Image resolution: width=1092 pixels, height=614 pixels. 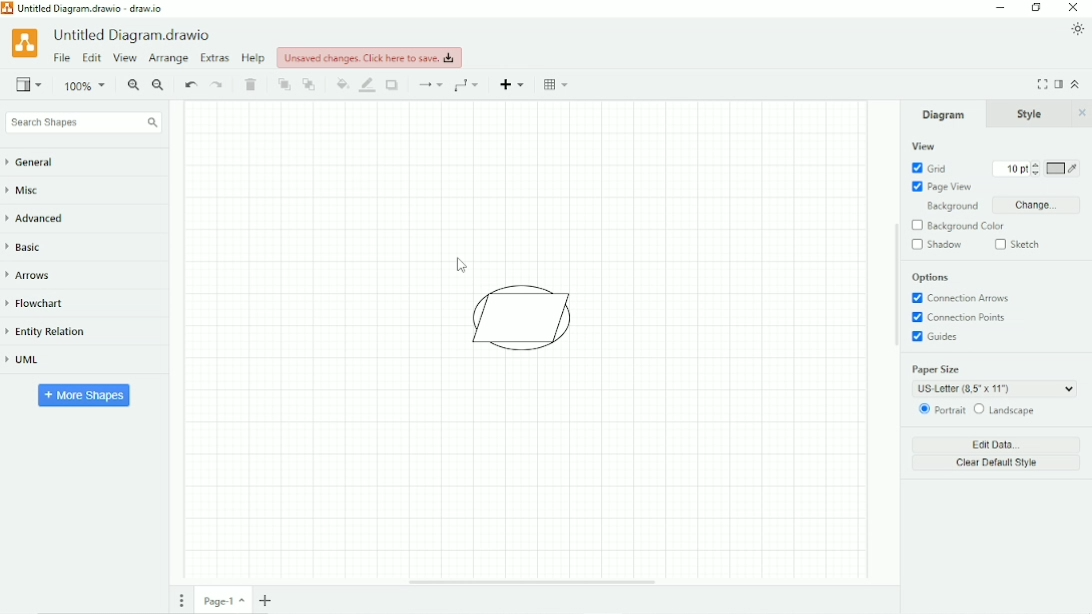 I want to click on Background, so click(x=948, y=207).